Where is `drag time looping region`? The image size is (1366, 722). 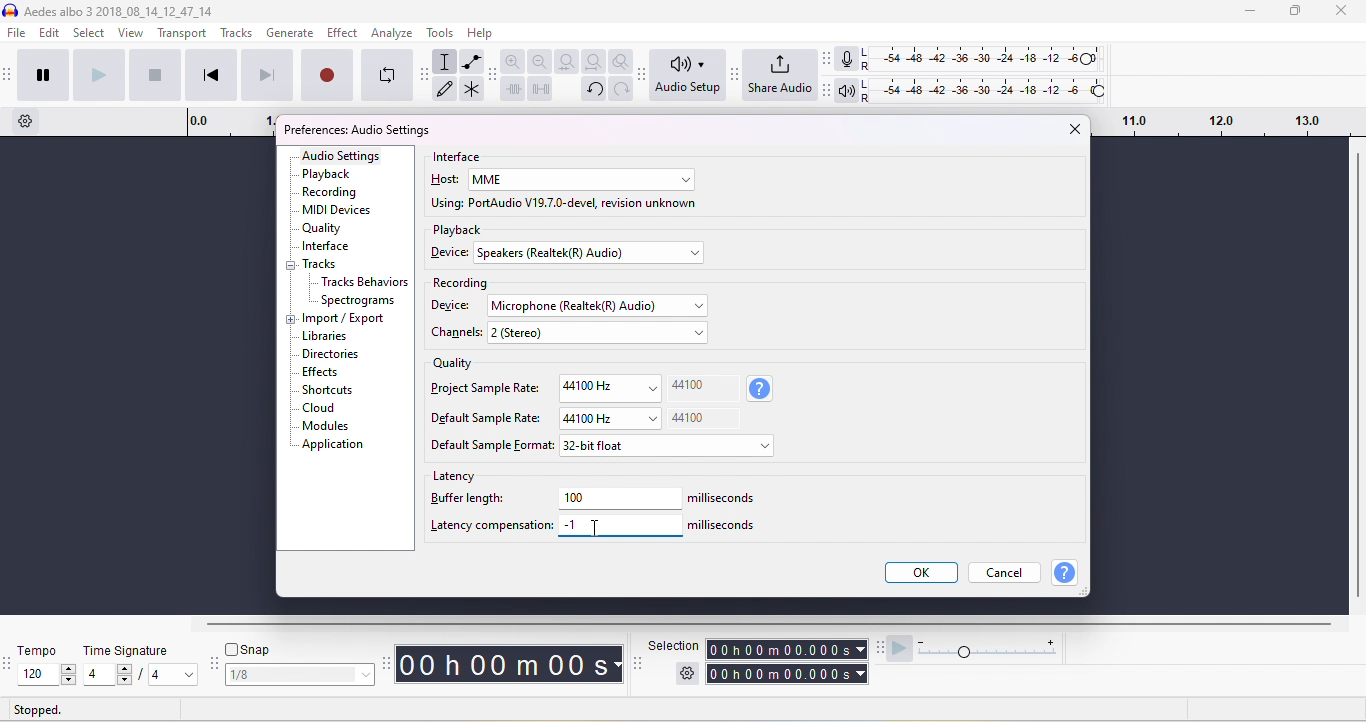 drag time looping region is located at coordinates (1224, 123).